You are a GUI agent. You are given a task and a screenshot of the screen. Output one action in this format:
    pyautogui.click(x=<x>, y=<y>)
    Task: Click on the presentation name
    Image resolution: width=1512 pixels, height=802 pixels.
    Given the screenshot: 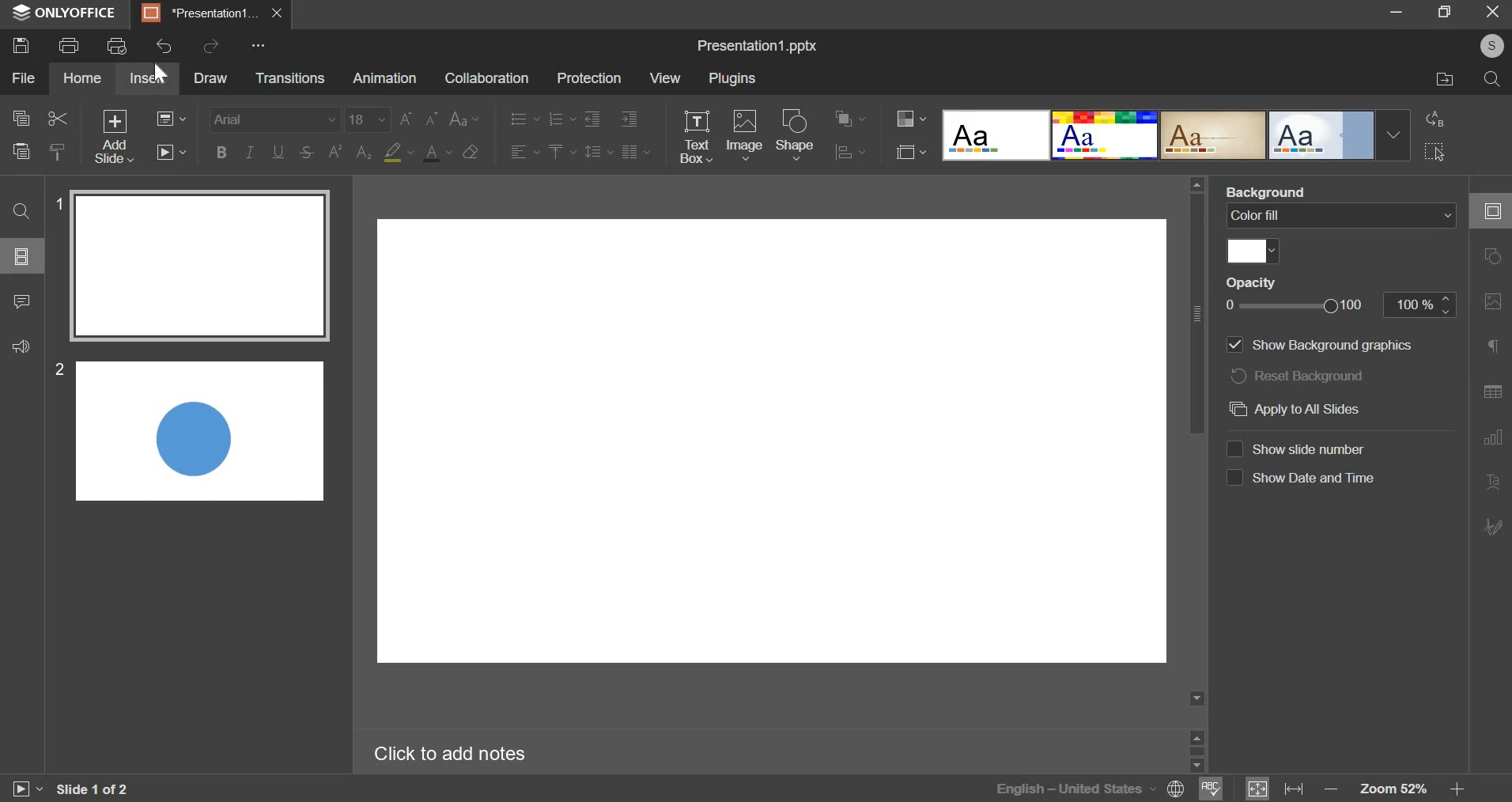 What is the action you would take?
    pyautogui.click(x=759, y=46)
    